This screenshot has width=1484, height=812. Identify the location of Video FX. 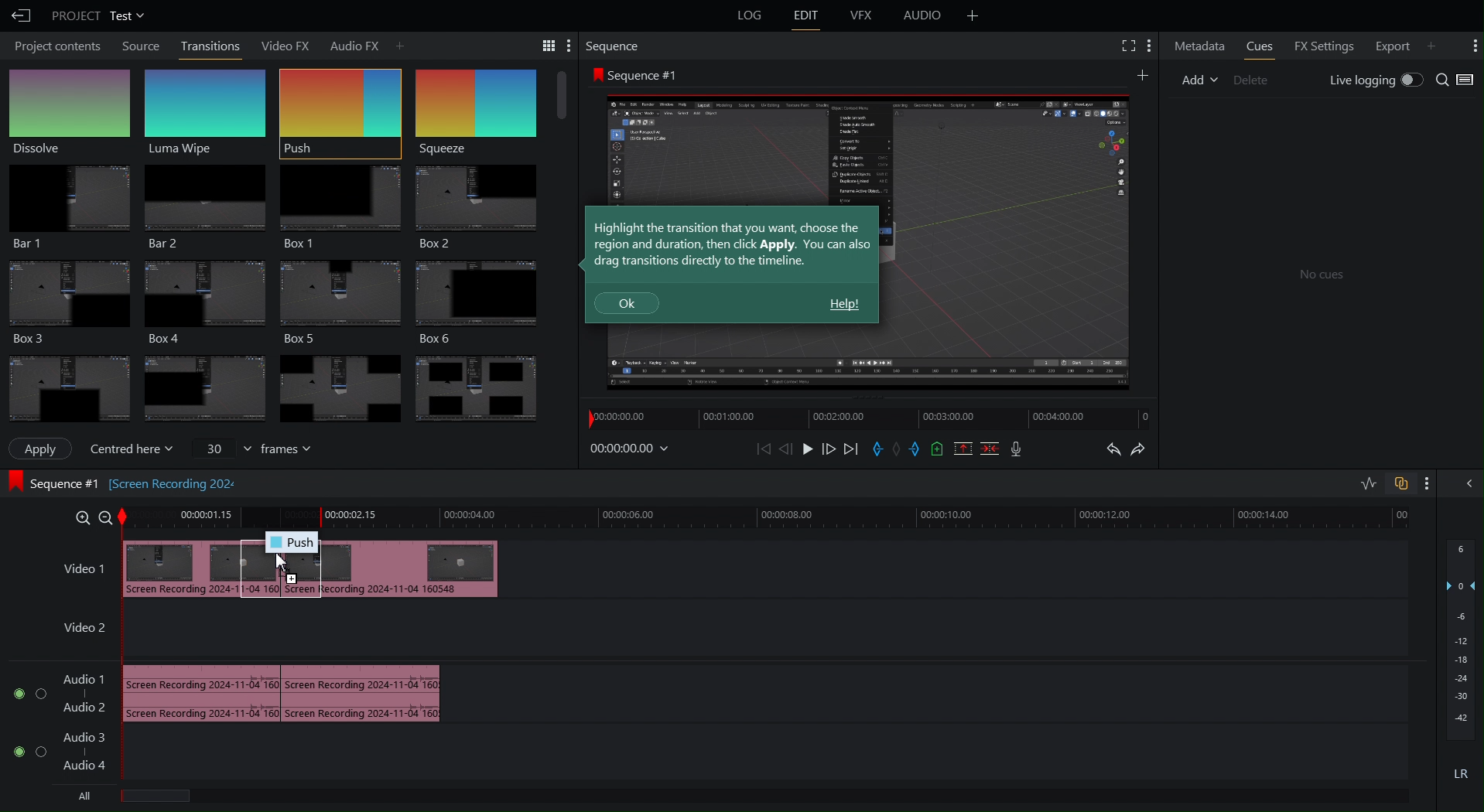
(279, 44).